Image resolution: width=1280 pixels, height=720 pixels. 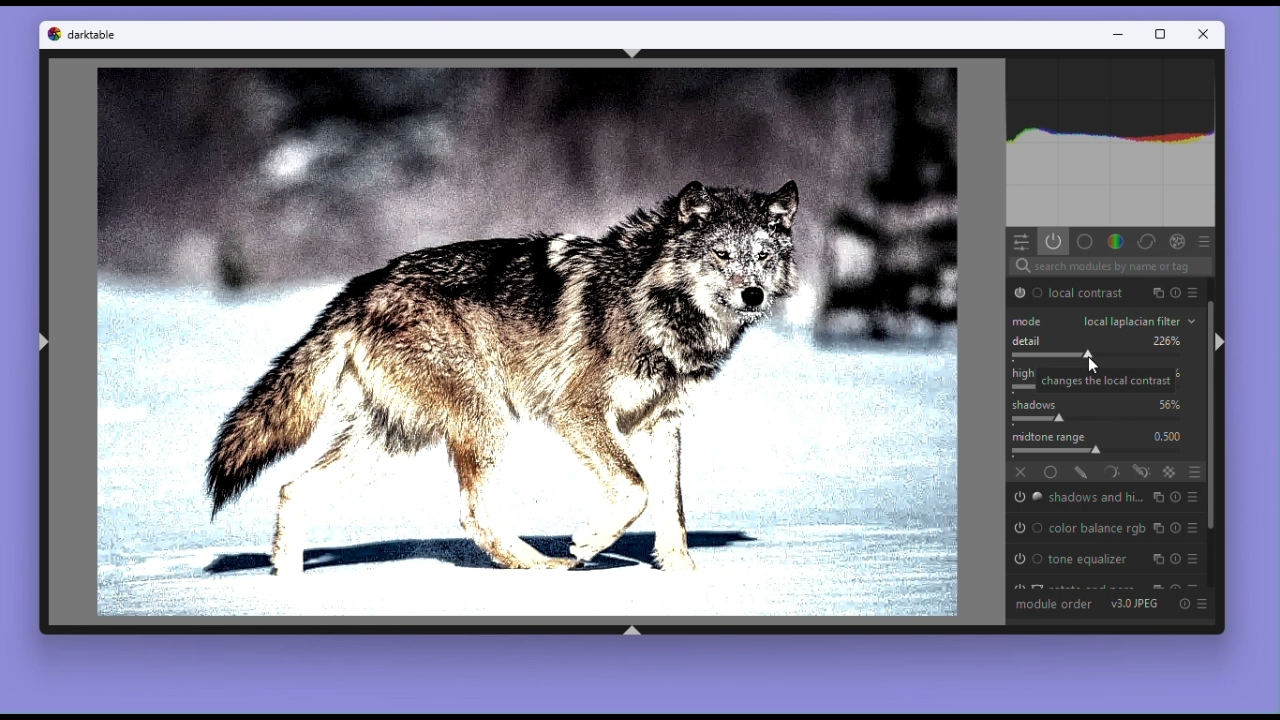 What do you see at coordinates (1021, 475) in the screenshot?
I see `off` at bounding box center [1021, 475].